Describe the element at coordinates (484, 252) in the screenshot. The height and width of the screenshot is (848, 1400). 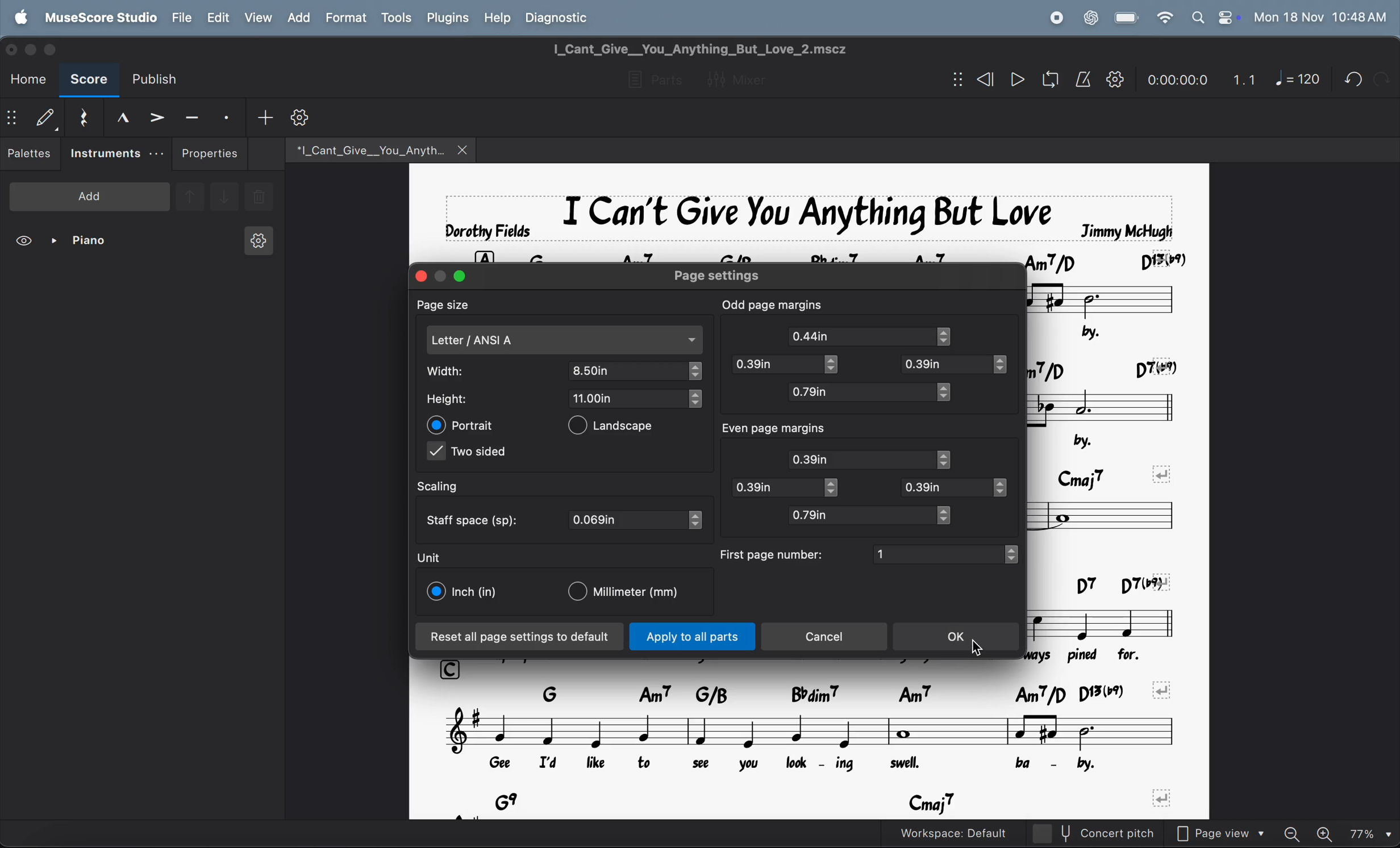
I see `rows` at that location.